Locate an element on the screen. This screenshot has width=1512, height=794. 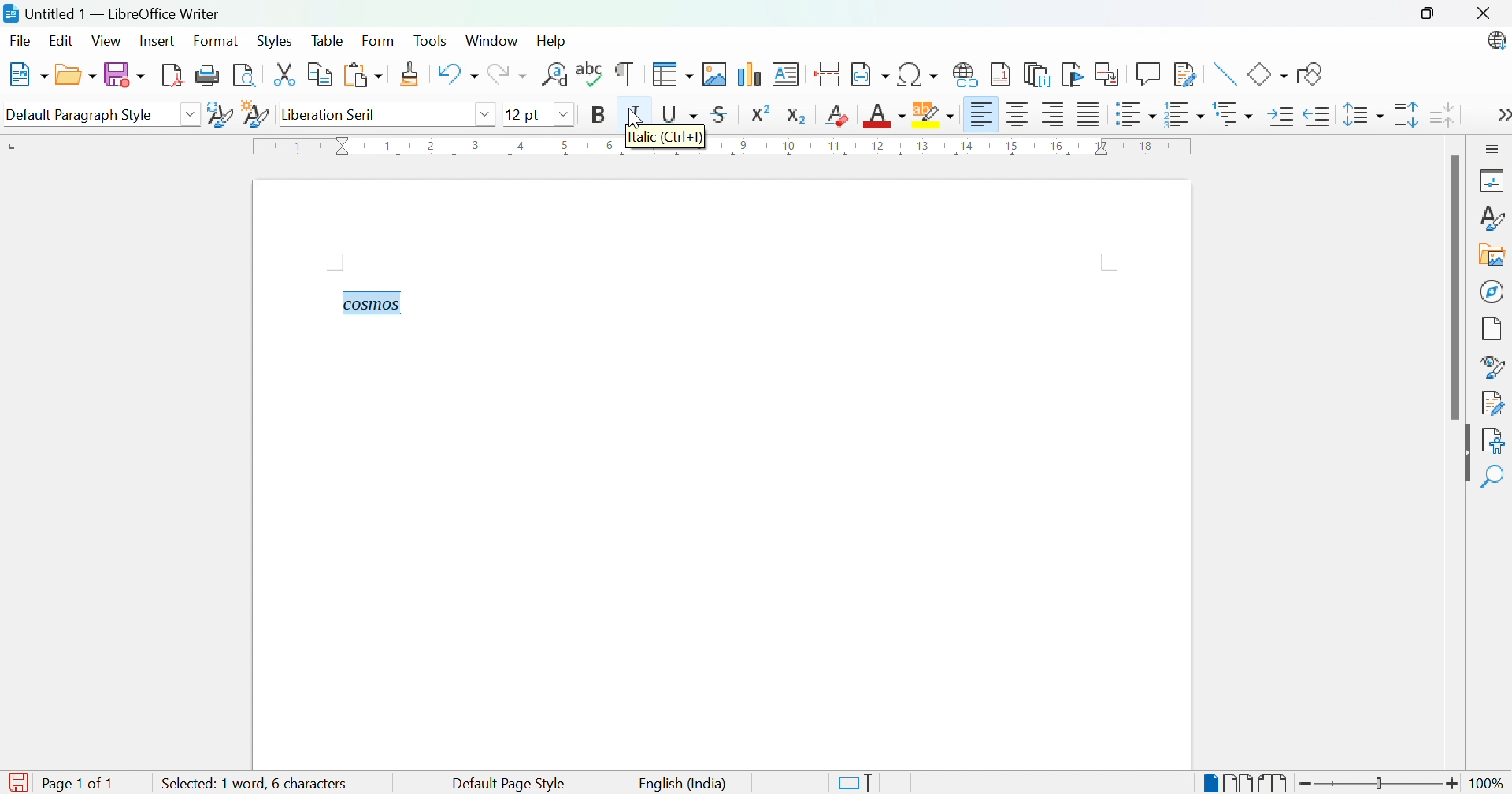
Align center is located at coordinates (1021, 117).